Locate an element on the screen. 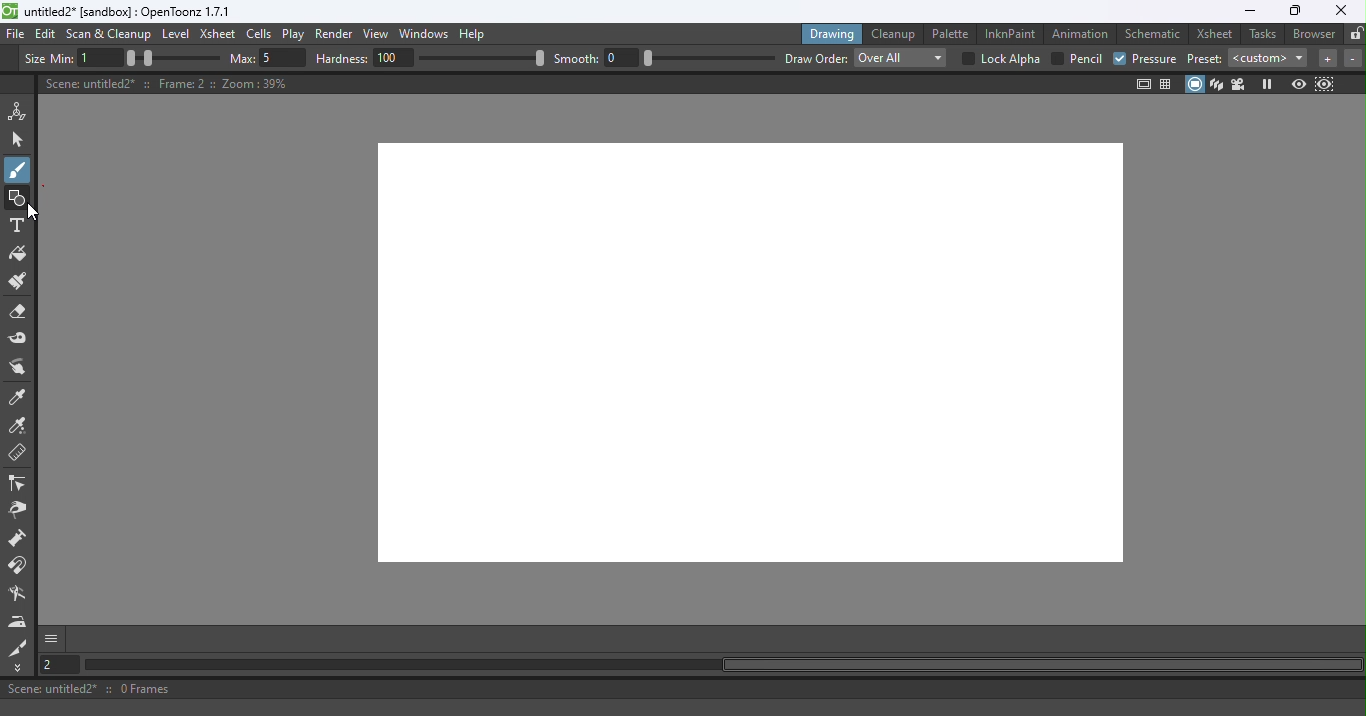  Play is located at coordinates (297, 35).